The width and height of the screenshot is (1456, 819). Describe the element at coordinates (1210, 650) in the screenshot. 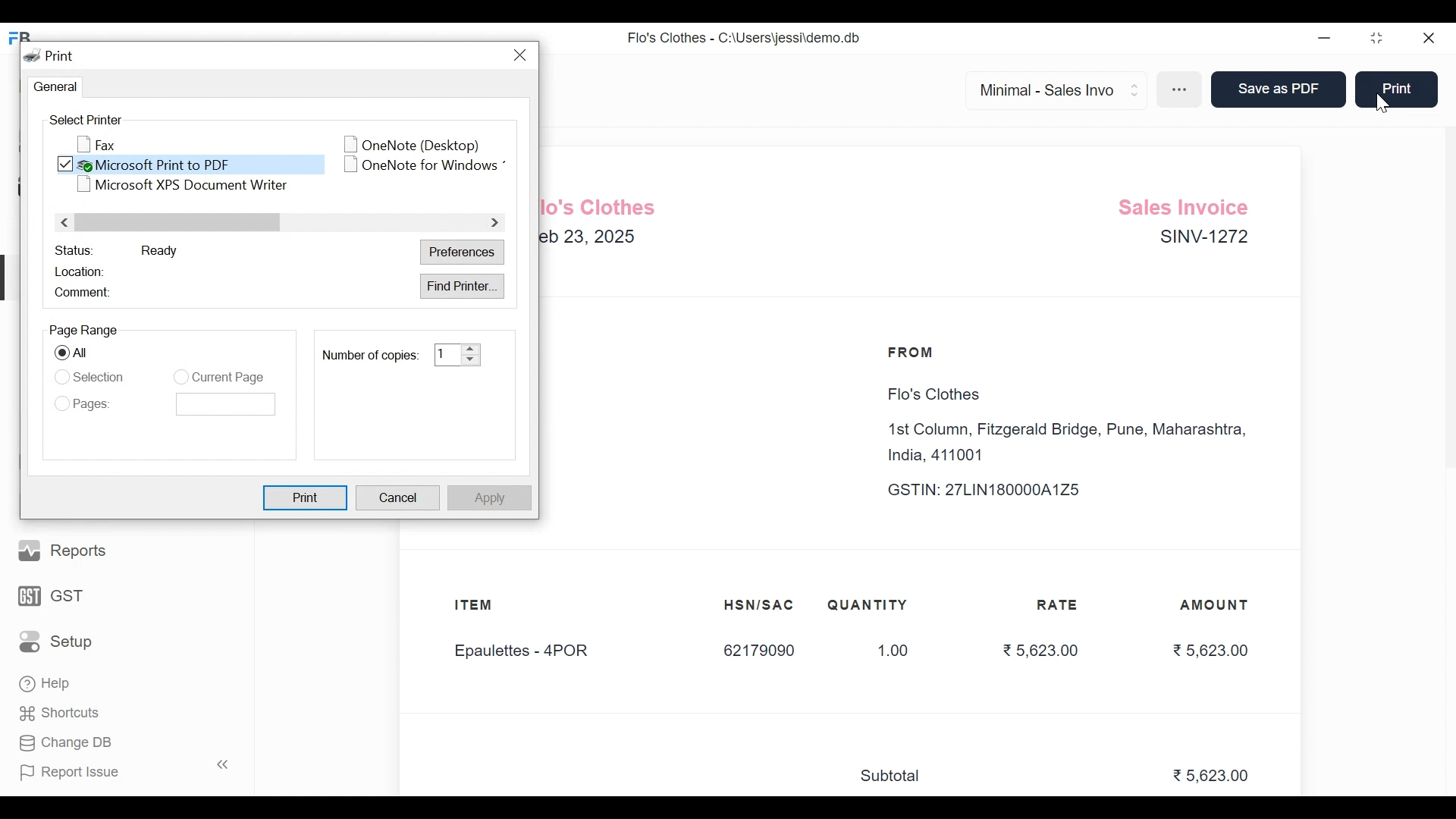

I see `5,623.00` at that location.